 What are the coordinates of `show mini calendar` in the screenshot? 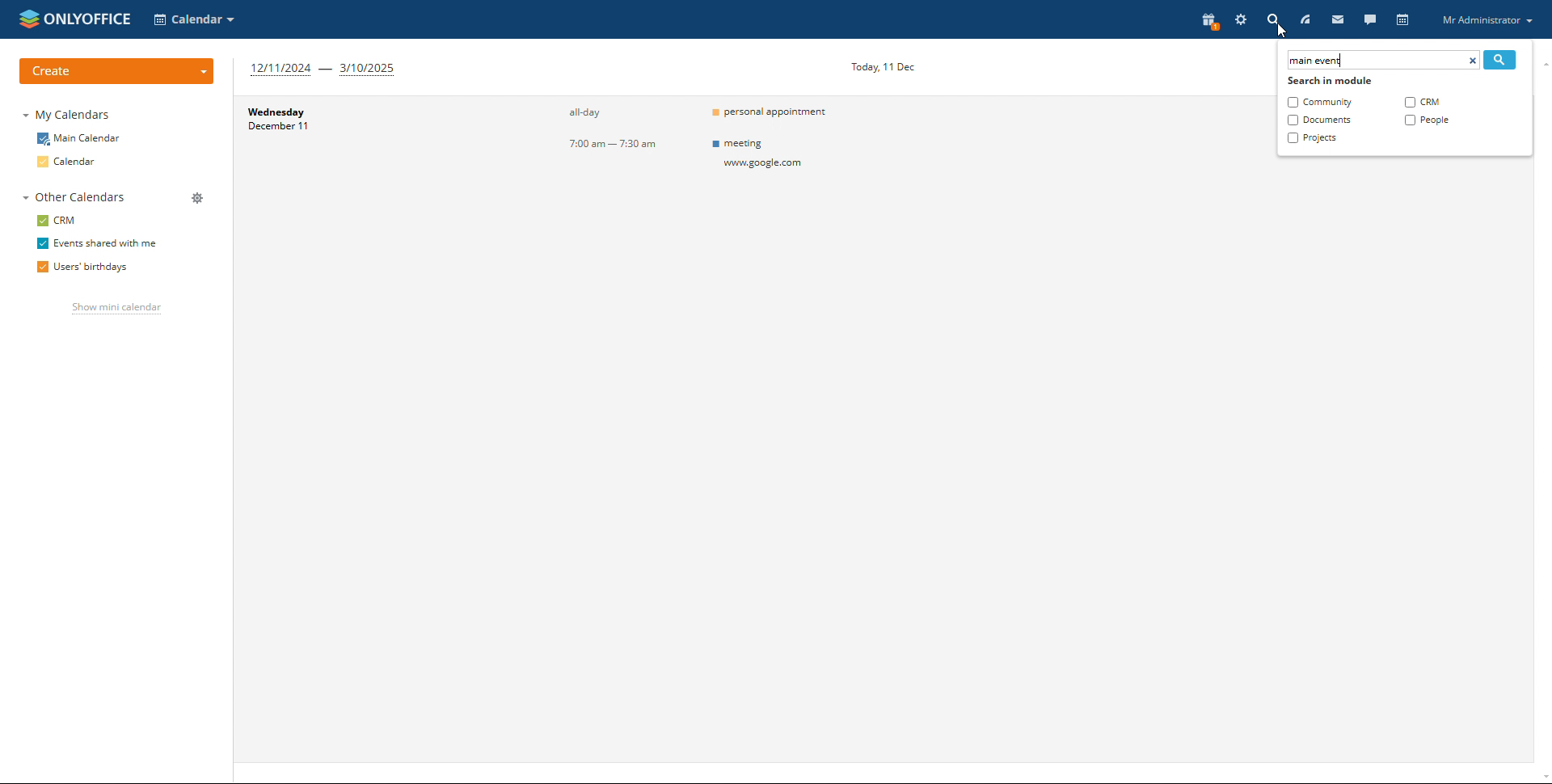 It's located at (118, 308).